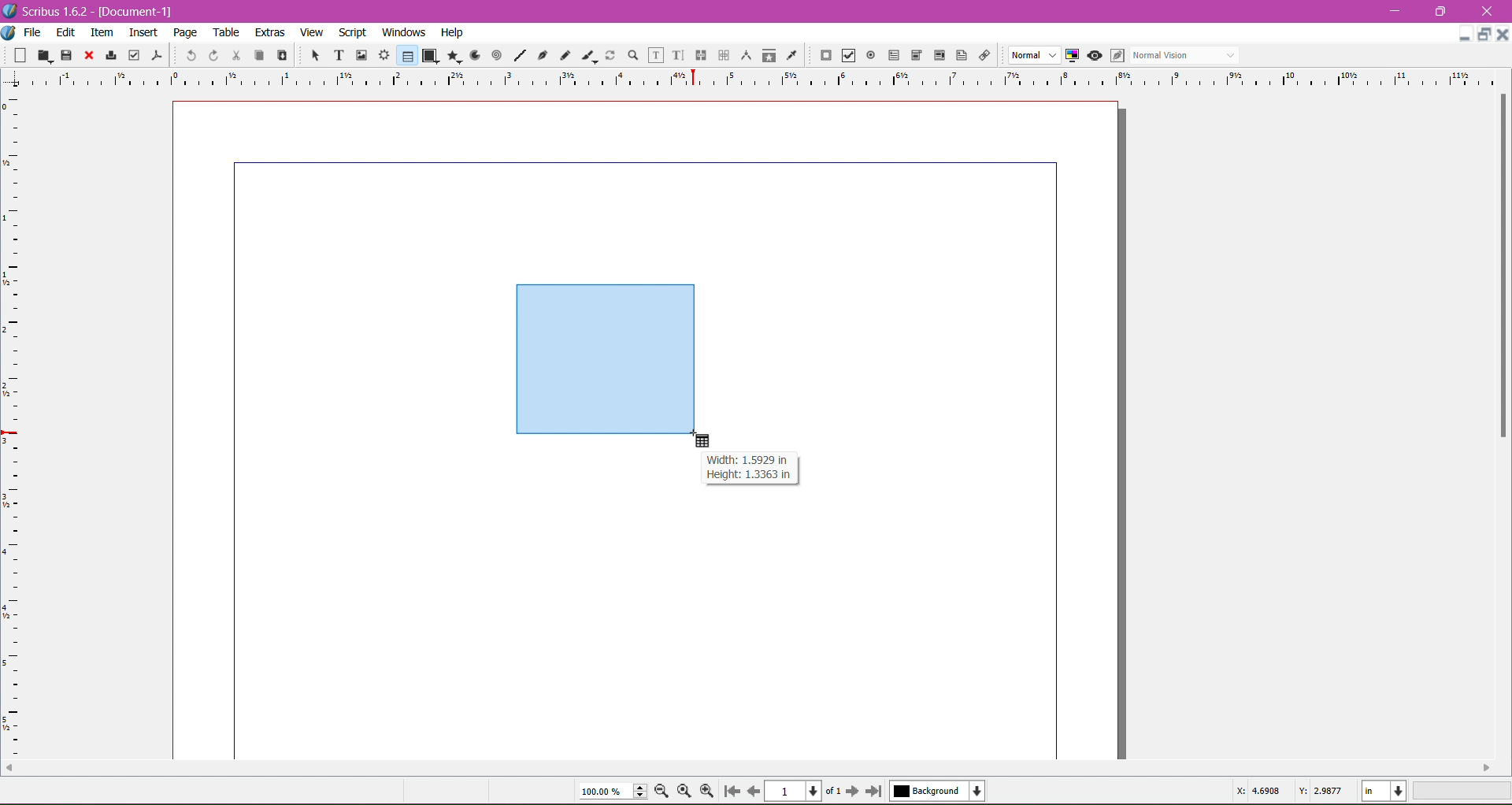  Describe the element at coordinates (429, 55) in the screenshot. I see `Shapes` at that location.